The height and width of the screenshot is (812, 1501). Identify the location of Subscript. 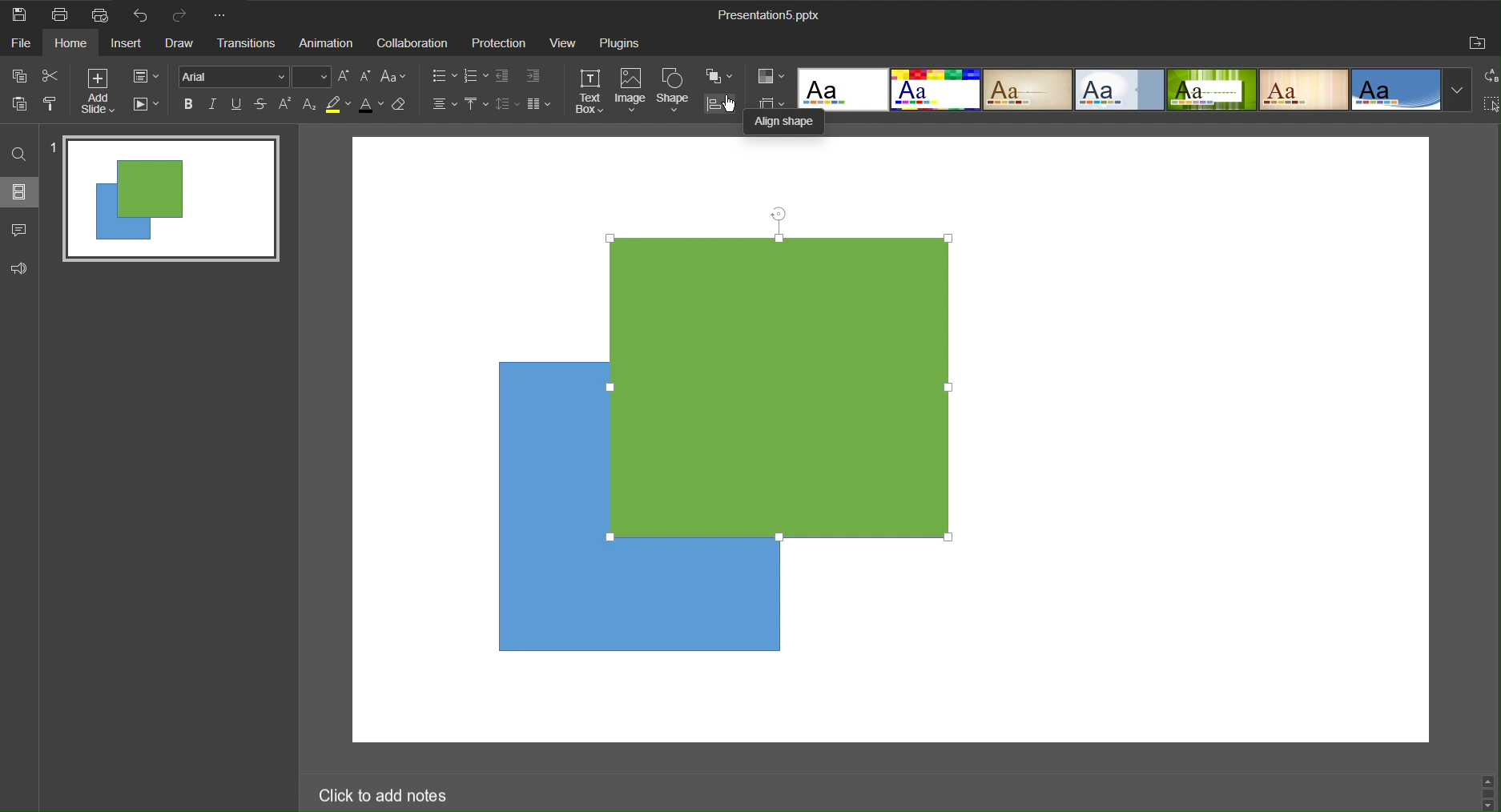
(309, 105).